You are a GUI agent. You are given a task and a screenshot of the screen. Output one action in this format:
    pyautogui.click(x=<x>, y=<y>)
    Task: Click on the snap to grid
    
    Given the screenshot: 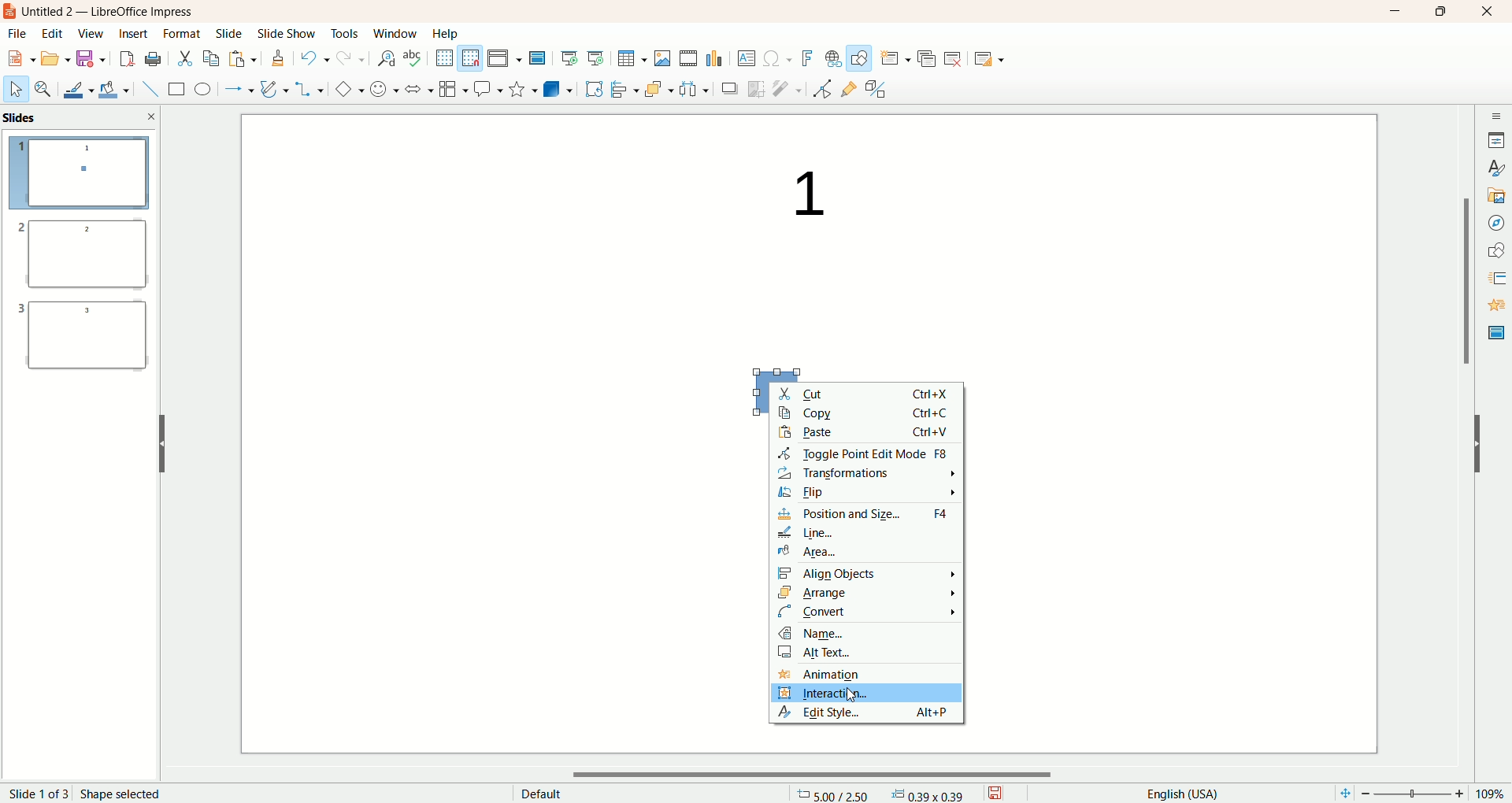 What is the action you would take?
    pyautogui.click(x=472, y=58)
    